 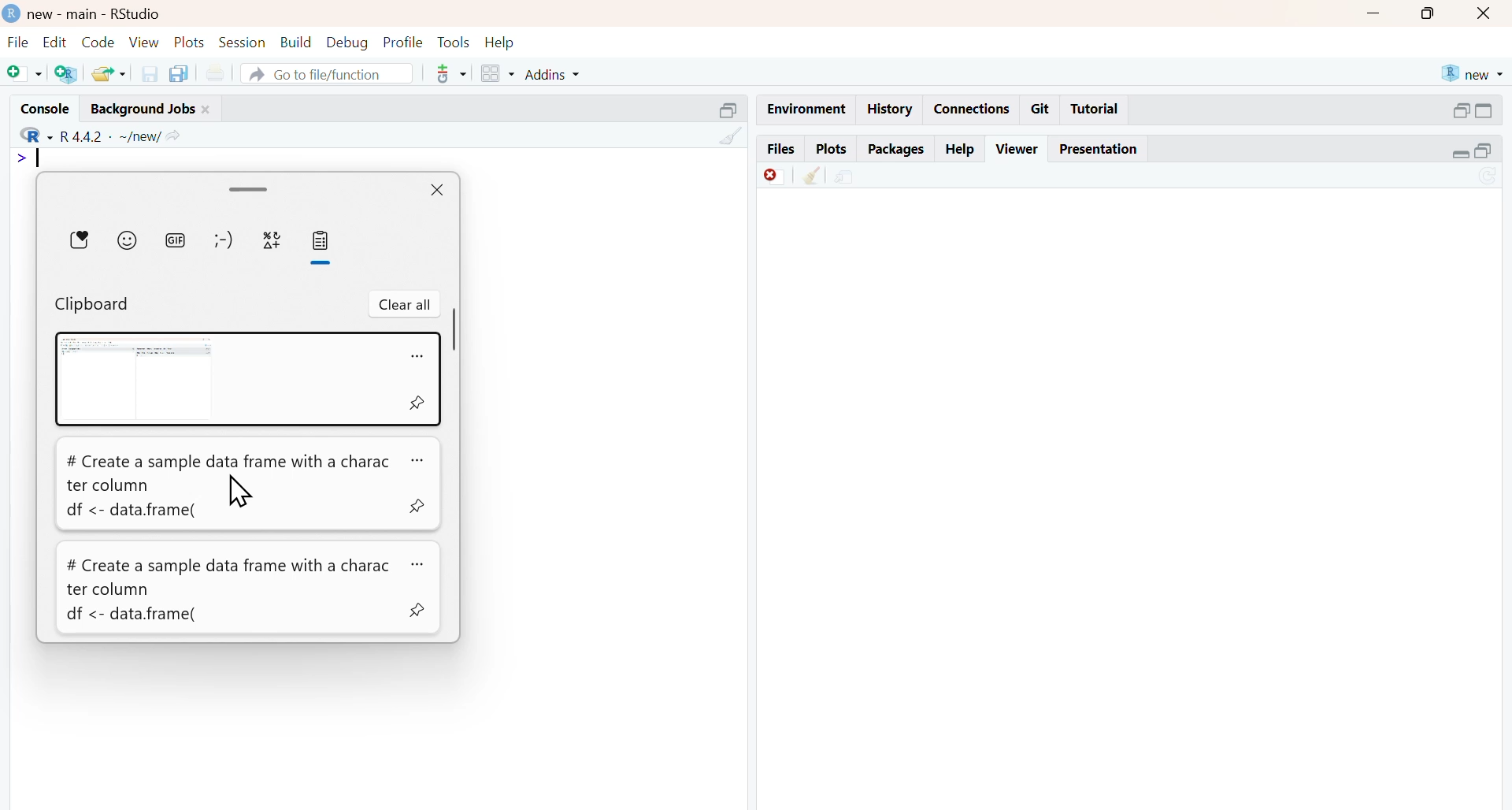 What do you see at coordinates (143, 110) in the screenshot?
I see `background jobs` at bounding box center [143, 110].